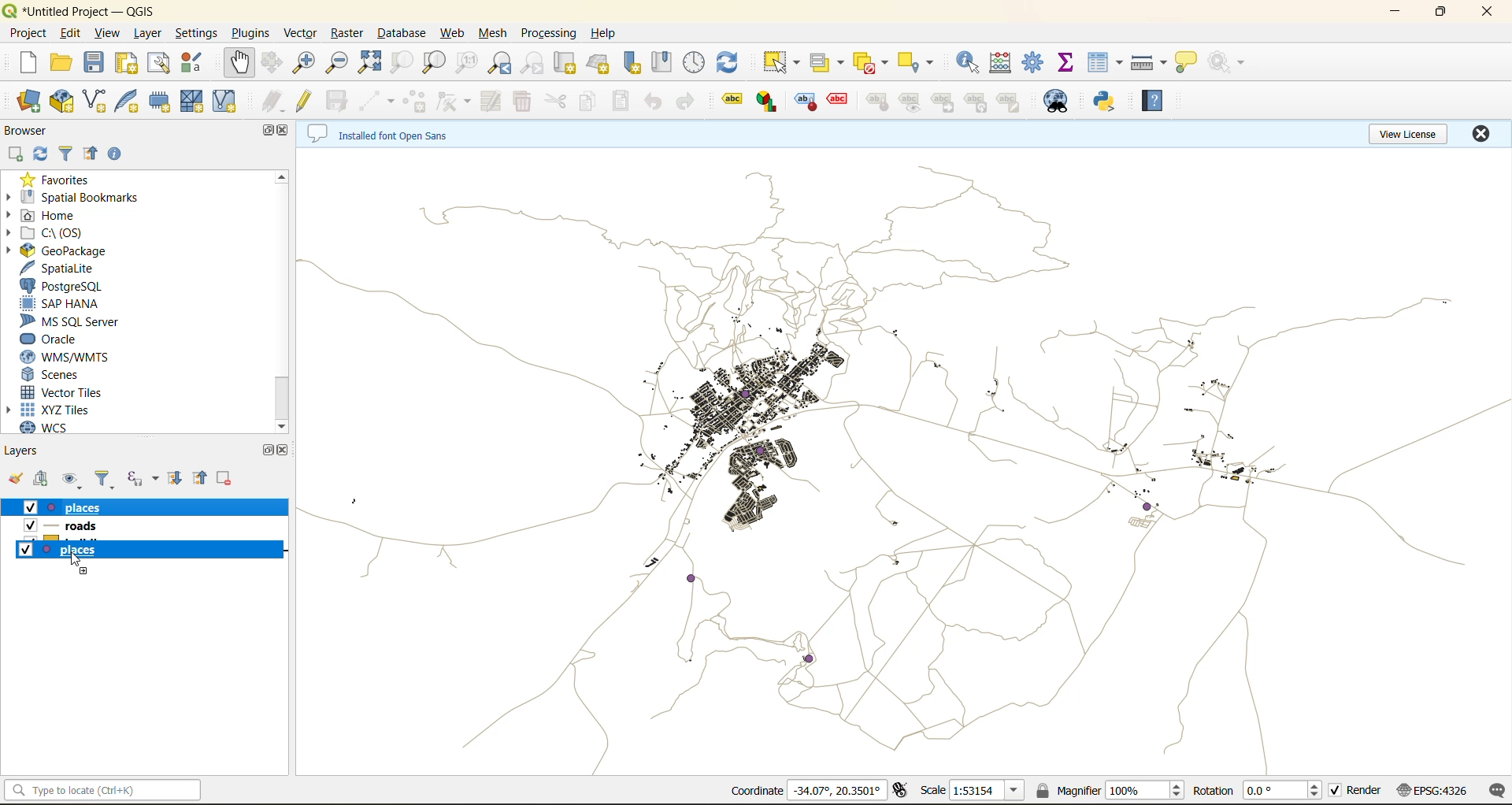  I want to click on web, so click(454, 35).